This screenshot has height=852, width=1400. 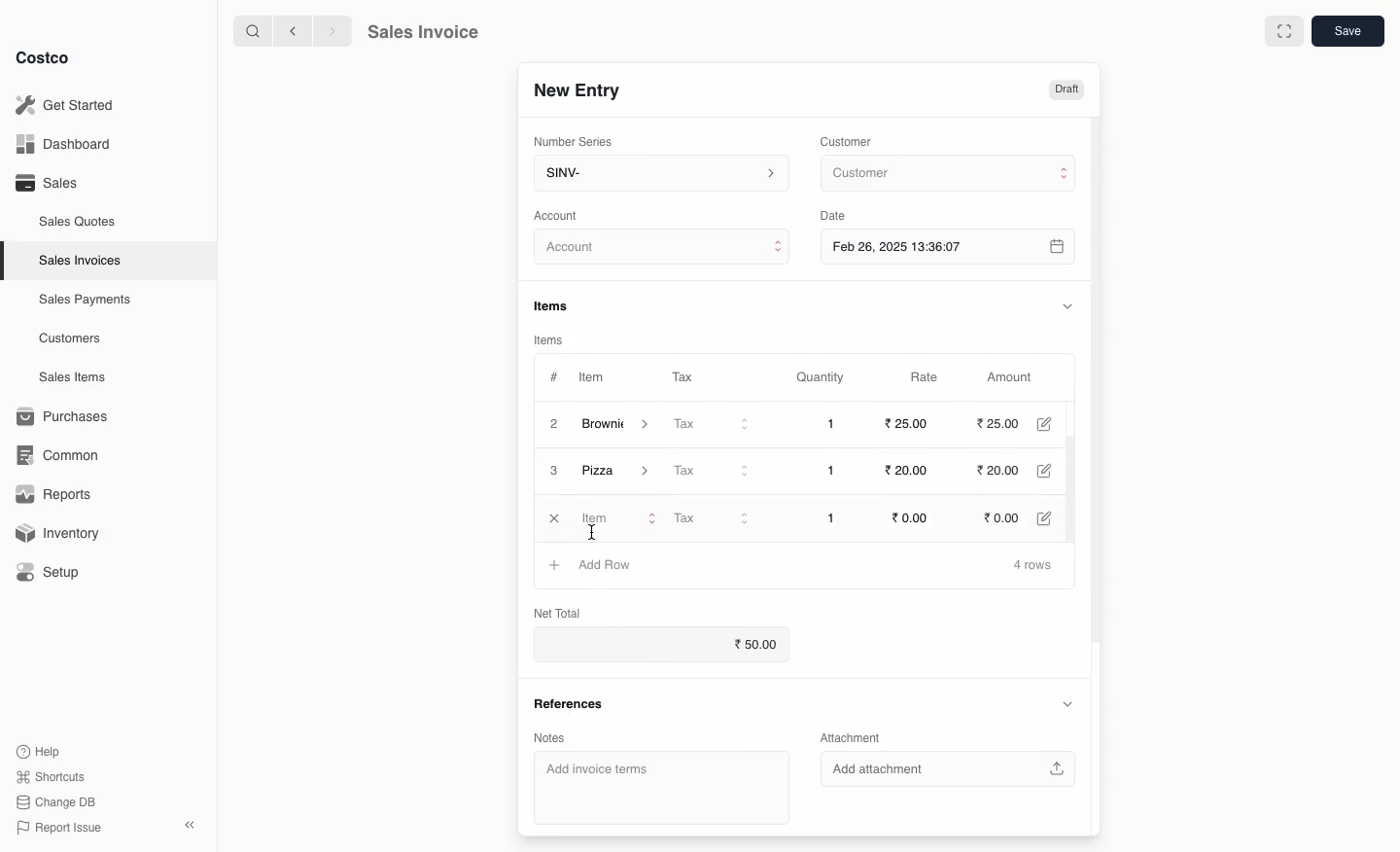 What do you see at coordinates (911, 423) in the screenshot?
I see `25.00` at bounding box center [911, 423].